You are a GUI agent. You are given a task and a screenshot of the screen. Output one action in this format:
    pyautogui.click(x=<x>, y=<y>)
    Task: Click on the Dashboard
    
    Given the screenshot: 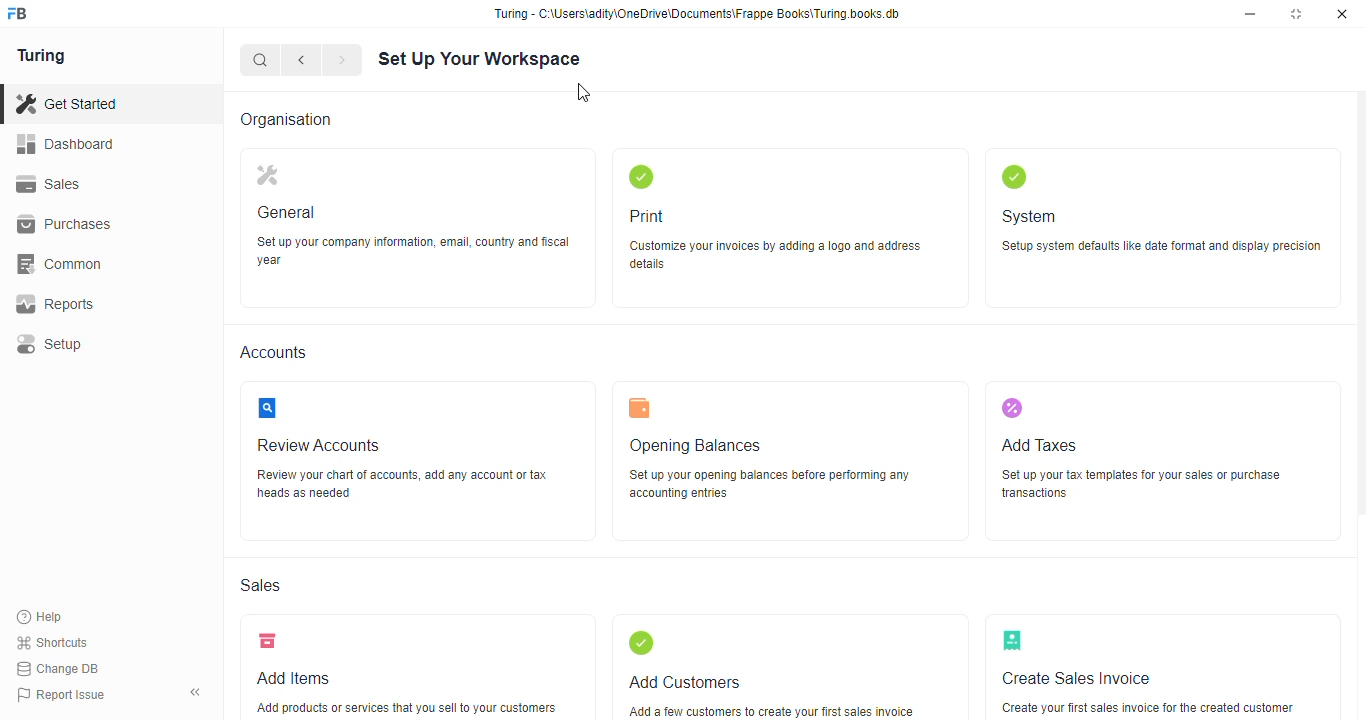 What is the action you would take?
    pyautogui.click(x=104, y=144)
    